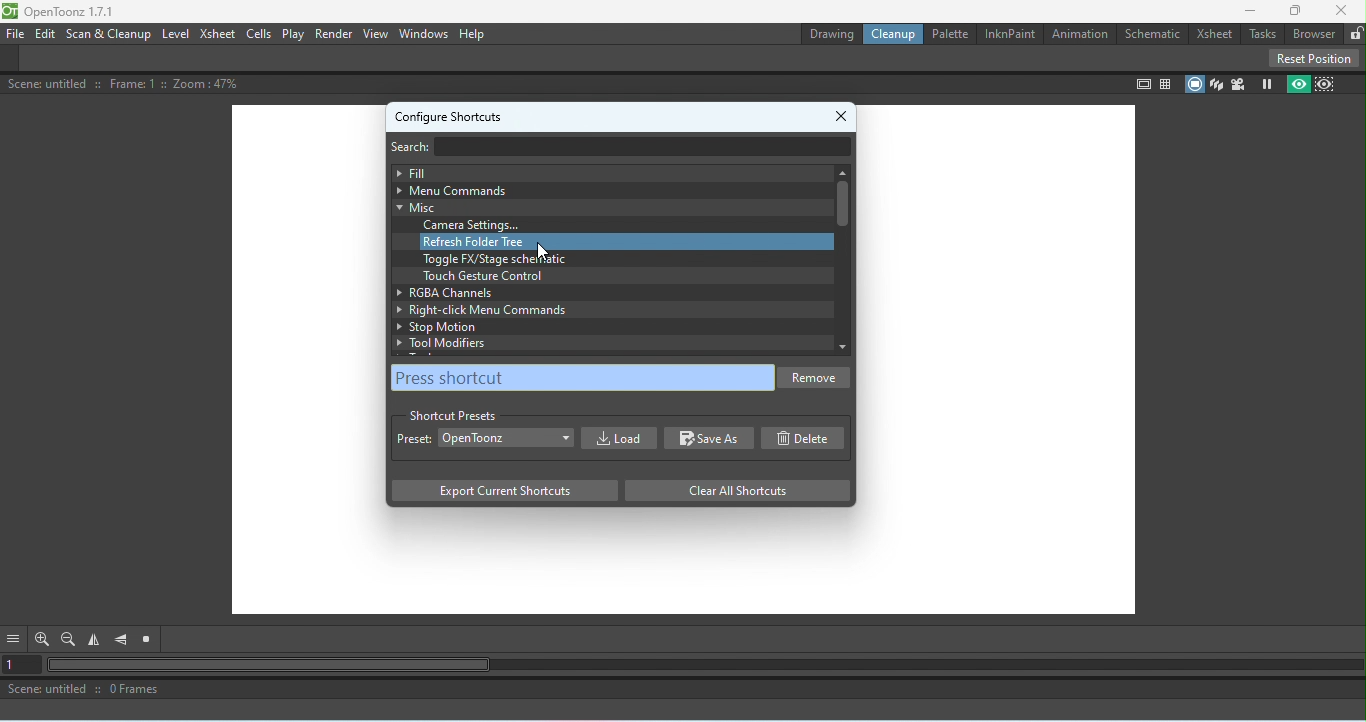 The height and width of the screenshot is (722, 1366). I want to click on Camera settings, so click(477, 225).